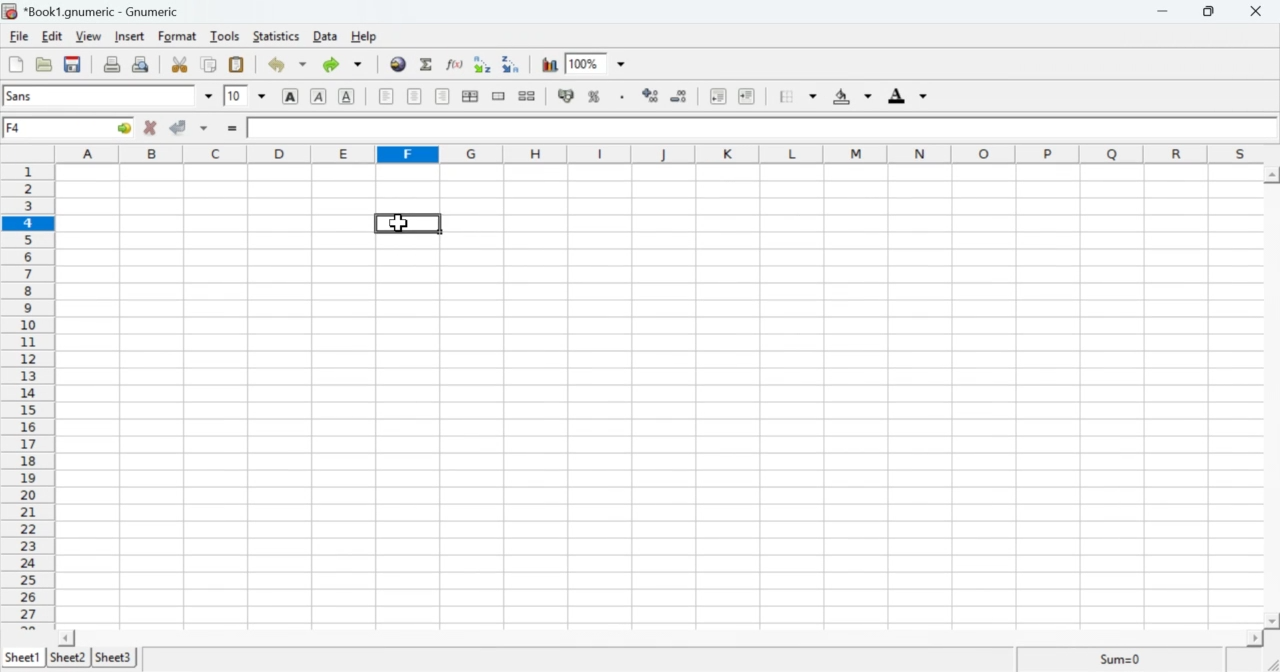  I want to click on Align left, so click(386, 97).